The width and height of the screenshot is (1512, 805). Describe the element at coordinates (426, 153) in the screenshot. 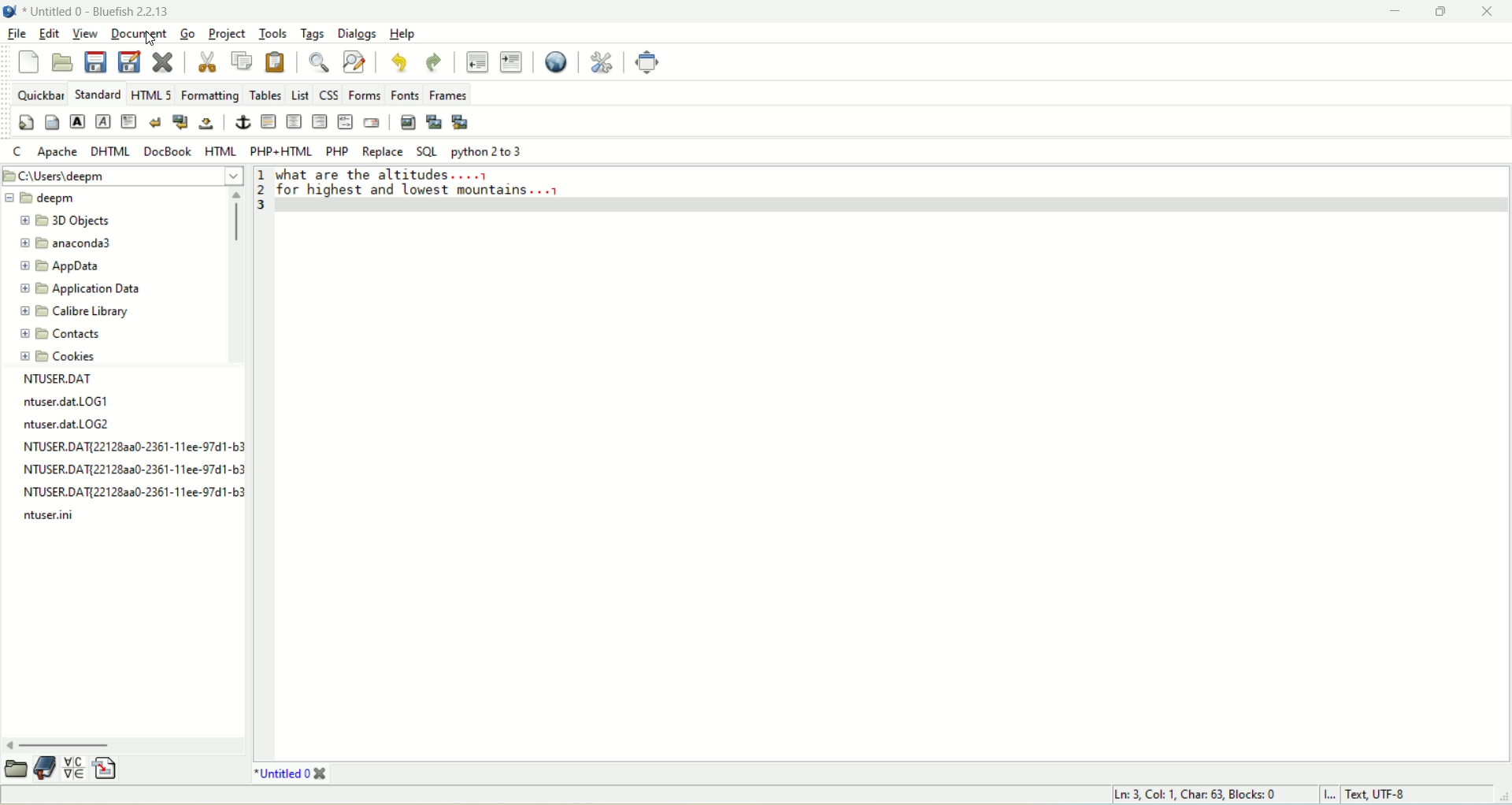

I see `SQL` at that location.